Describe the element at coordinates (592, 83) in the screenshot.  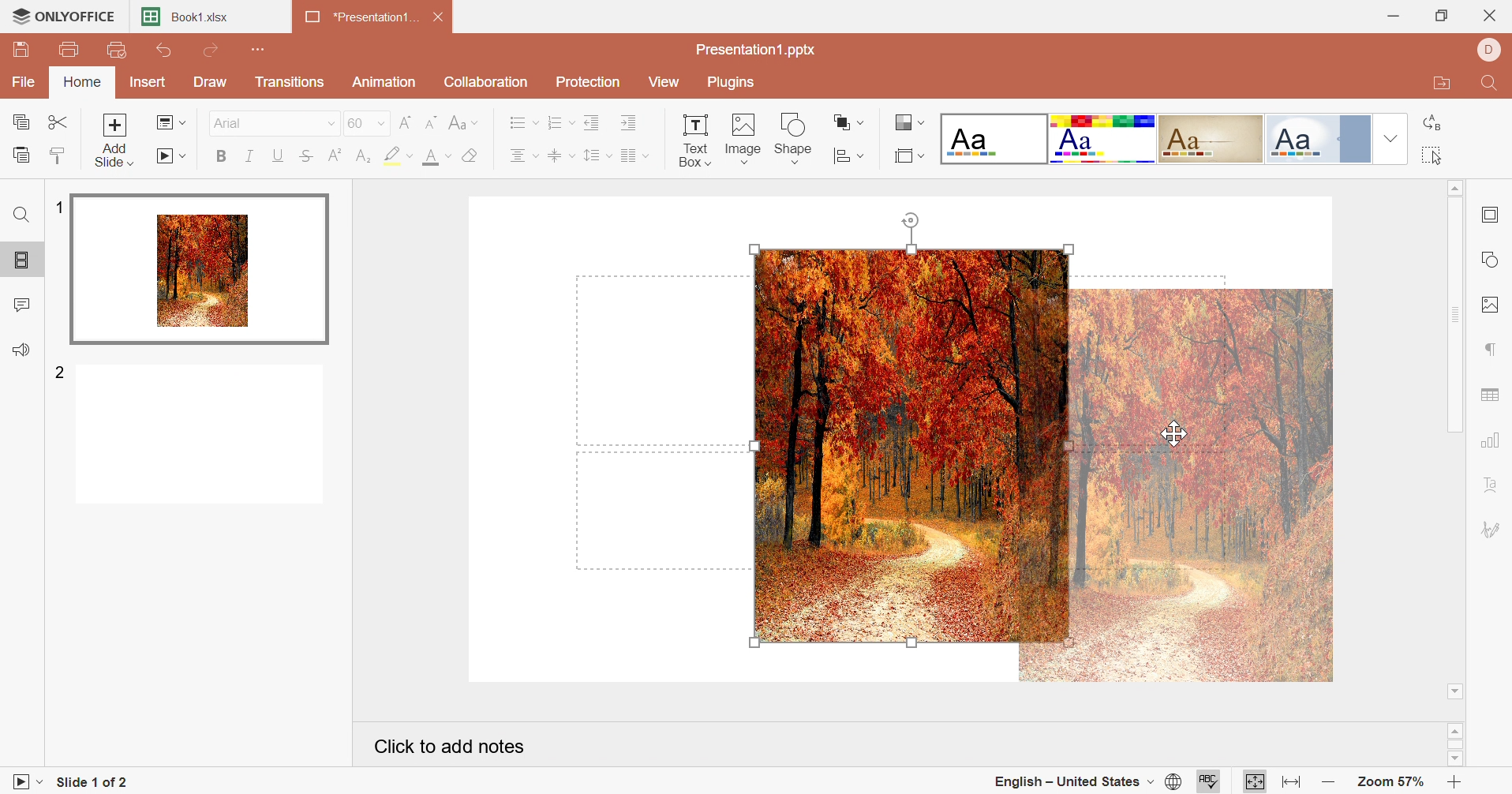
I see `Protection` at that location.